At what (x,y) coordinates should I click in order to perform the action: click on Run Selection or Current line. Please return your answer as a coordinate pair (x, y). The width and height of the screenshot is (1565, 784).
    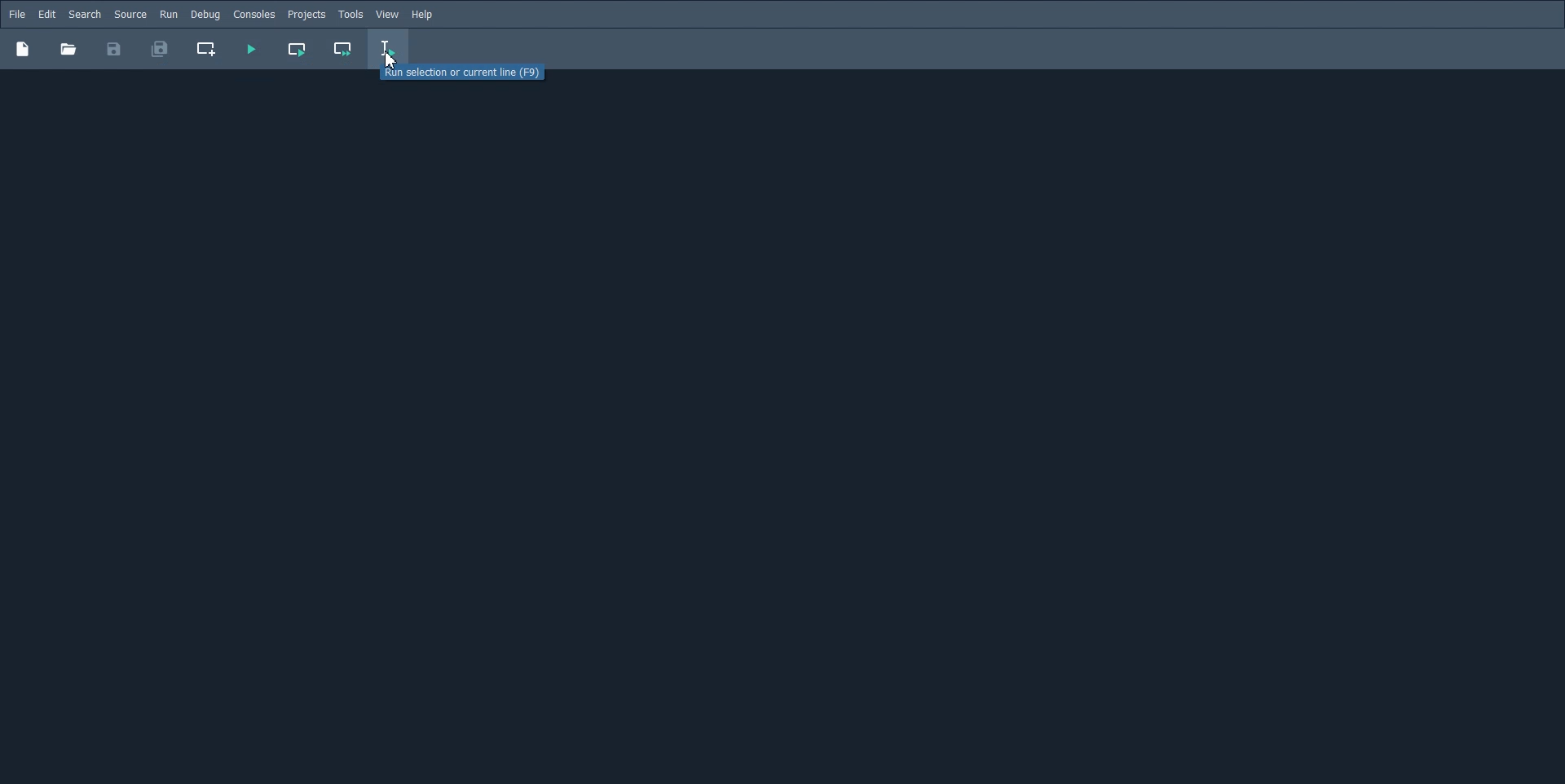
    Looking at the image, I should click on (465, 74).